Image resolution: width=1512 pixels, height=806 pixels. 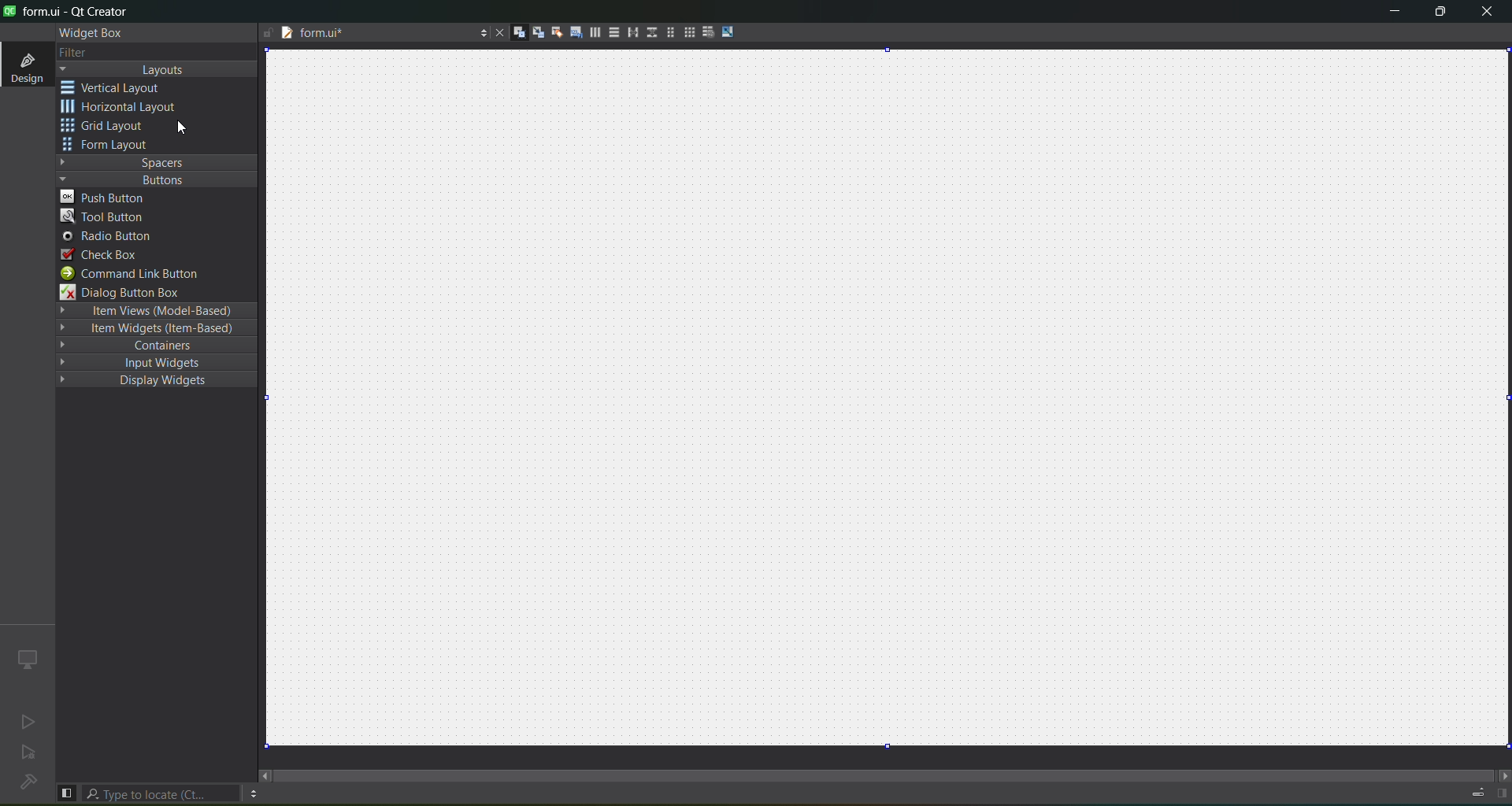 I want to click on filter, so click(x=72, y=52).